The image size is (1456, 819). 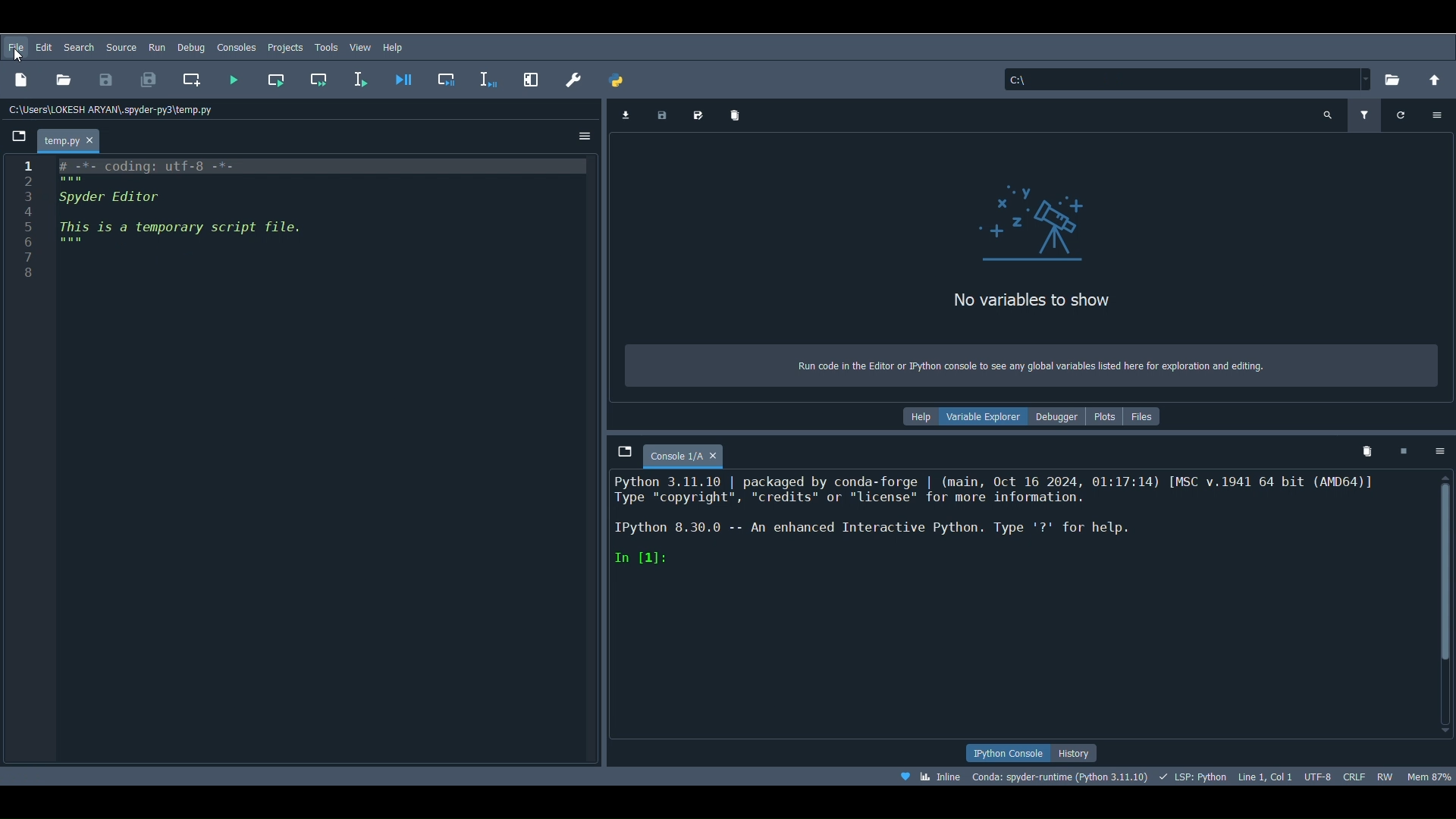 What do you see at coordinates (64, 76) in the screenshot?
I see `Open file (Ctrl + O)` at bounding box center [64, 76].